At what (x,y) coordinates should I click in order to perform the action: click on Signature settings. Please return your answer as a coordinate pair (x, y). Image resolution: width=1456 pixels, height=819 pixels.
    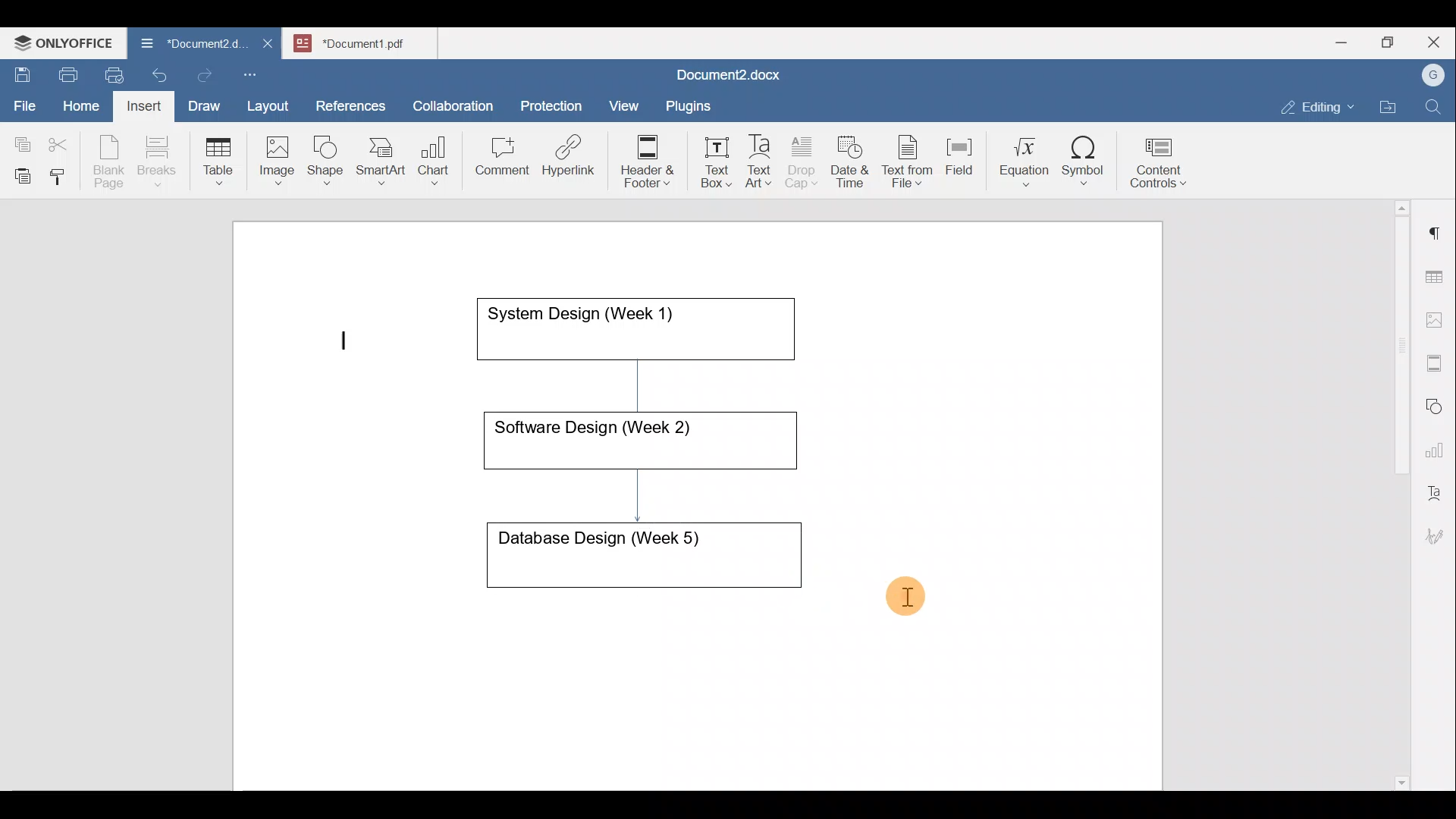
    Looking at the image, I should click on (1439, 531).